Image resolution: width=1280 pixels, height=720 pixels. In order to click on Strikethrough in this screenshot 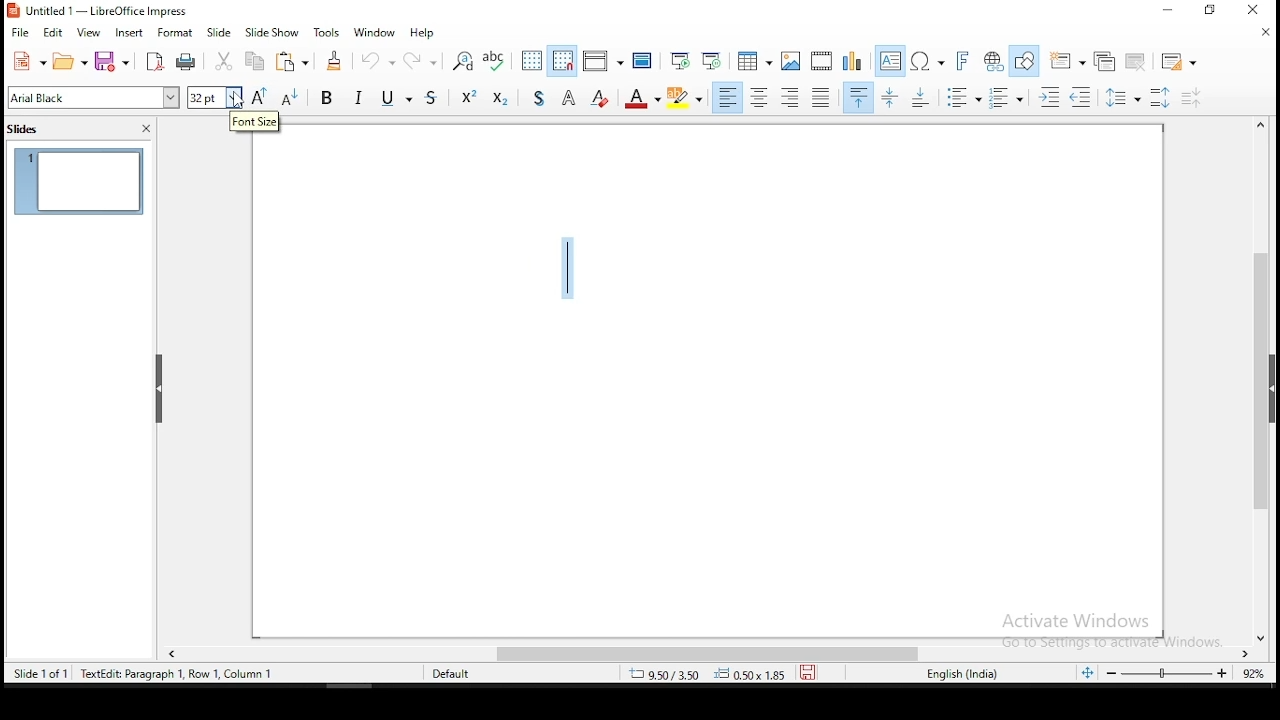, I will do `click(433, 95)`.